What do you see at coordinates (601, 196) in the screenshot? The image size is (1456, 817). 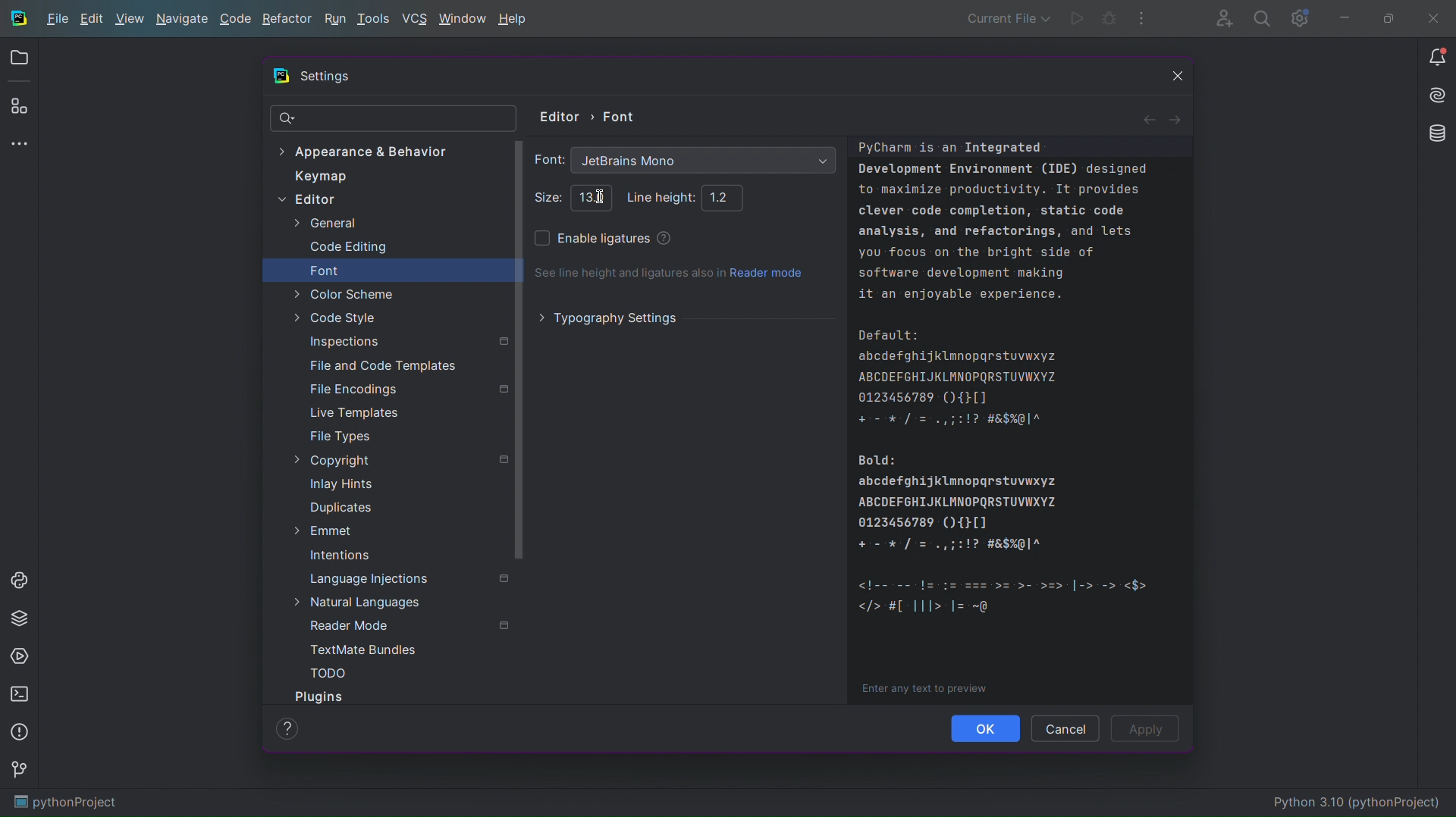 I see `cursor` at bounding box center [601, 196].